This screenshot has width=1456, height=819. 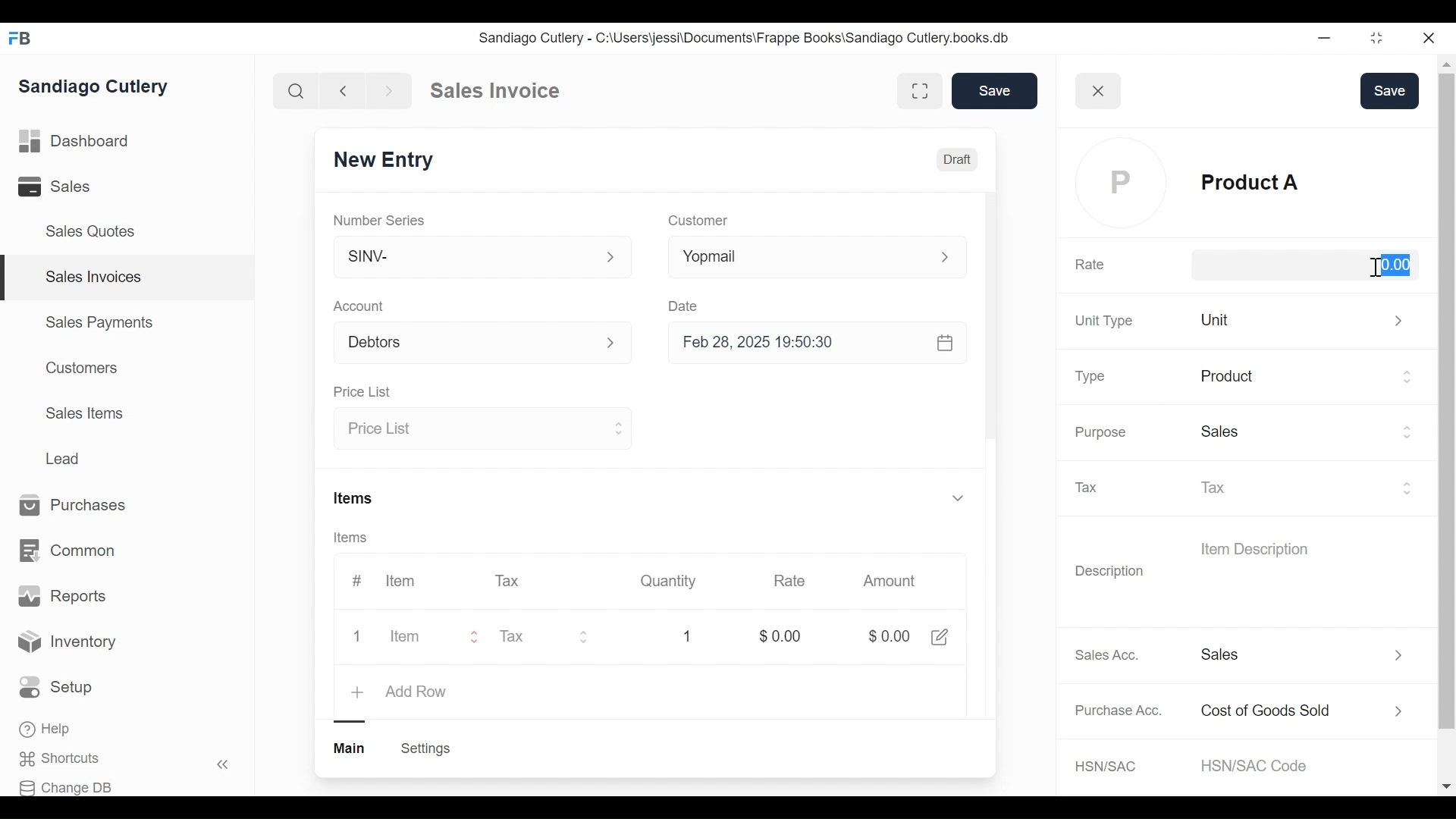 What do you see at coordinates (344, 90) in the screenshot?
I see `backward` at bounding box center [344, 90].